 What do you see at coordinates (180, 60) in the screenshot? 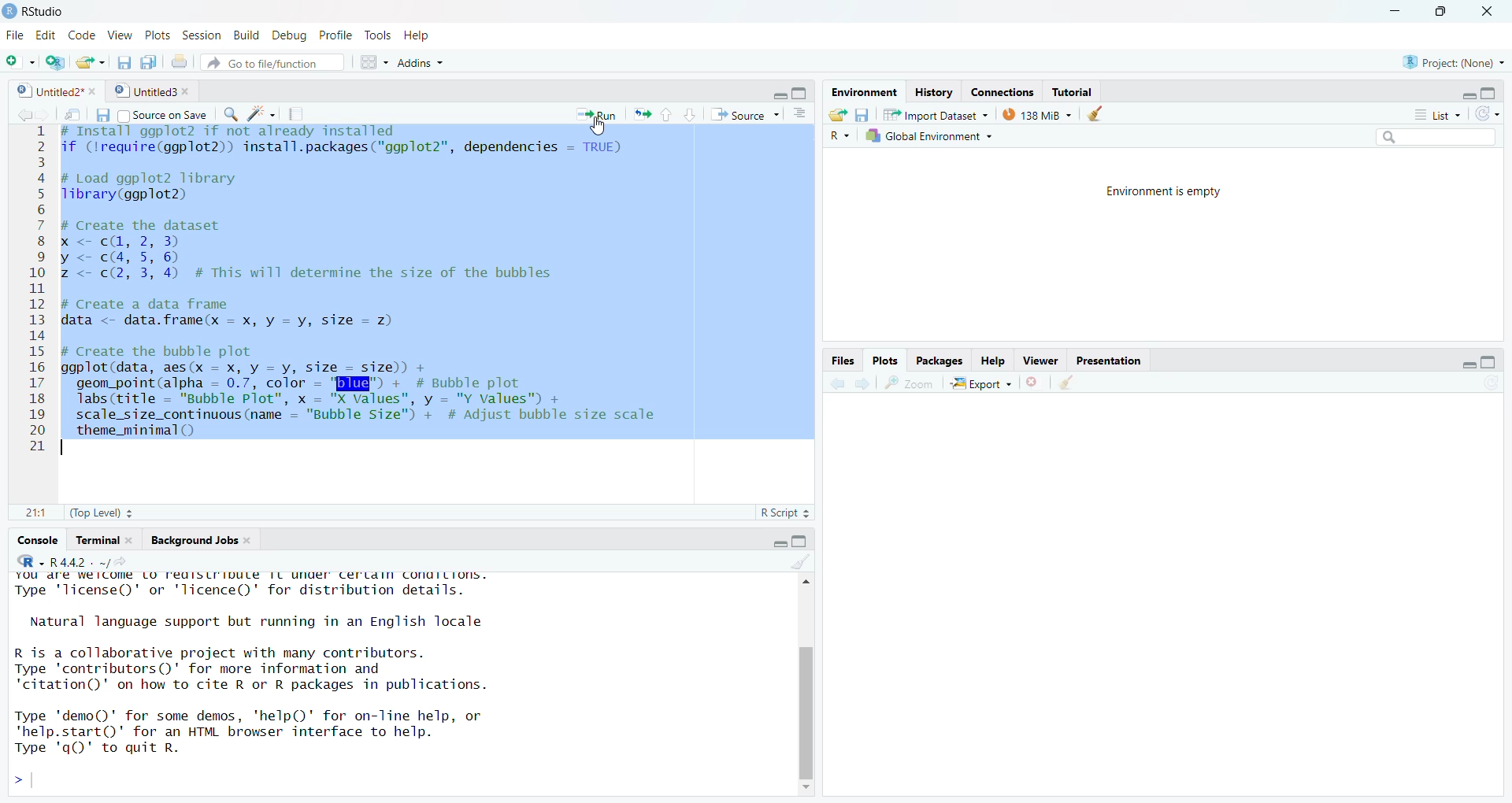
I see `print document` at bounding box center [180, 60].